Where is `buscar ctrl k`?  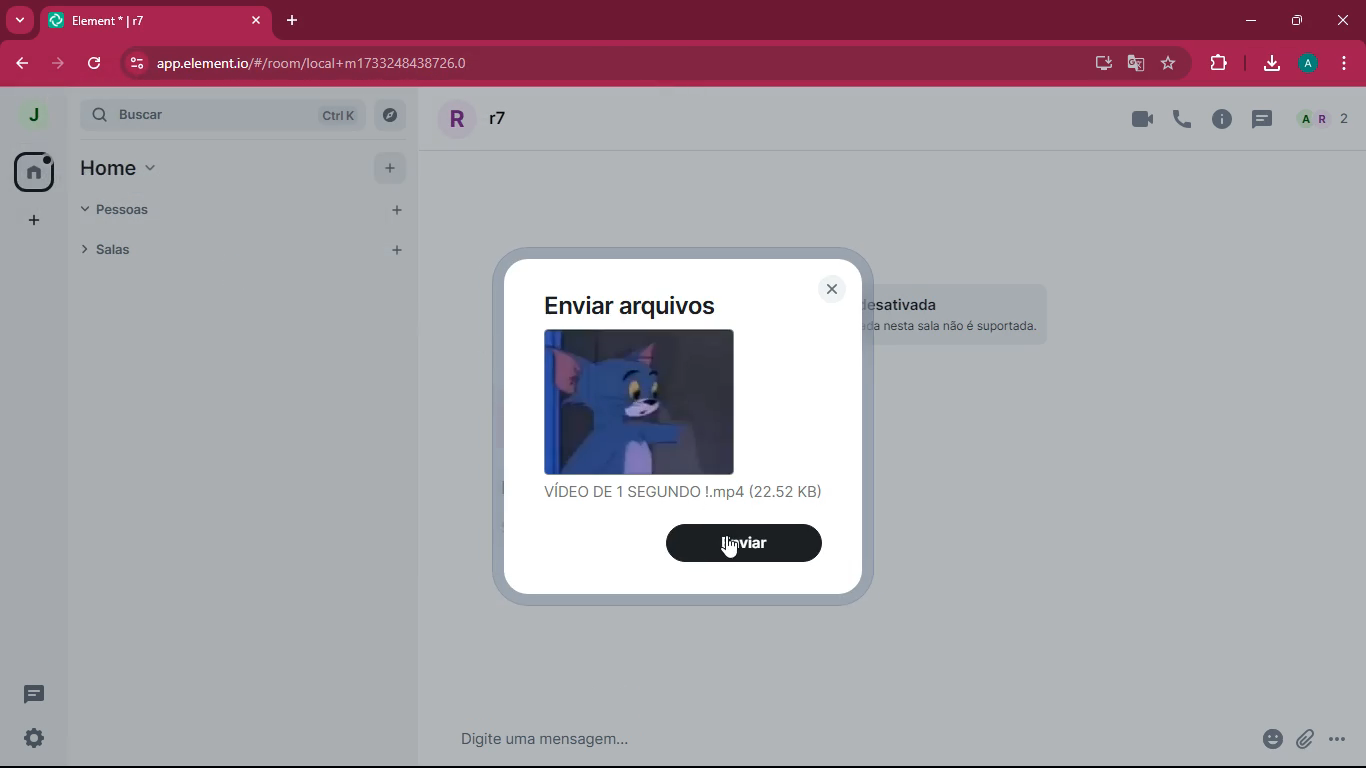 buscar ctrl k is located at coordinates (242, 115).